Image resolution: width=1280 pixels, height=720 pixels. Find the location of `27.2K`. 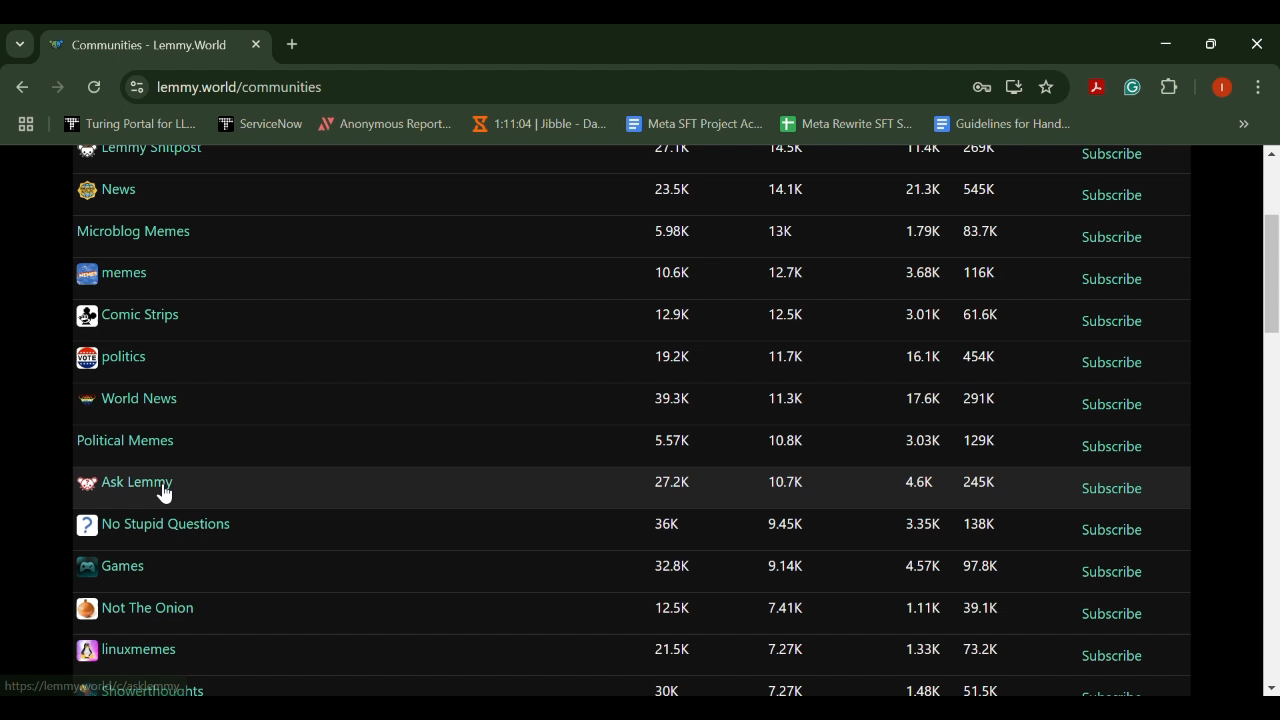

27.2K is located at coordinates (670, 484).